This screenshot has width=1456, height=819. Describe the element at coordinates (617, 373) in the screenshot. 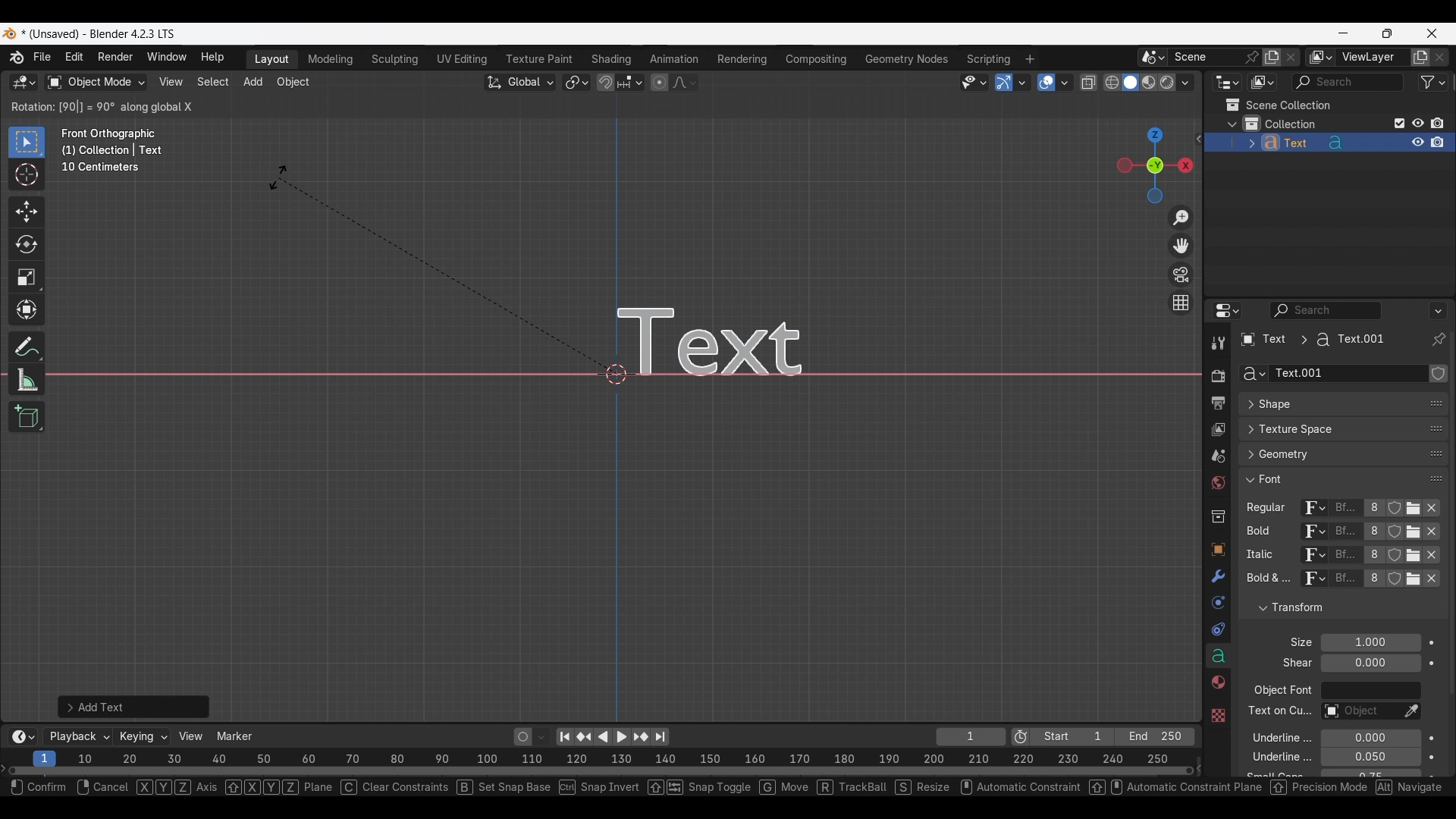

I see `Cursor at the center point of the frame` at that location.